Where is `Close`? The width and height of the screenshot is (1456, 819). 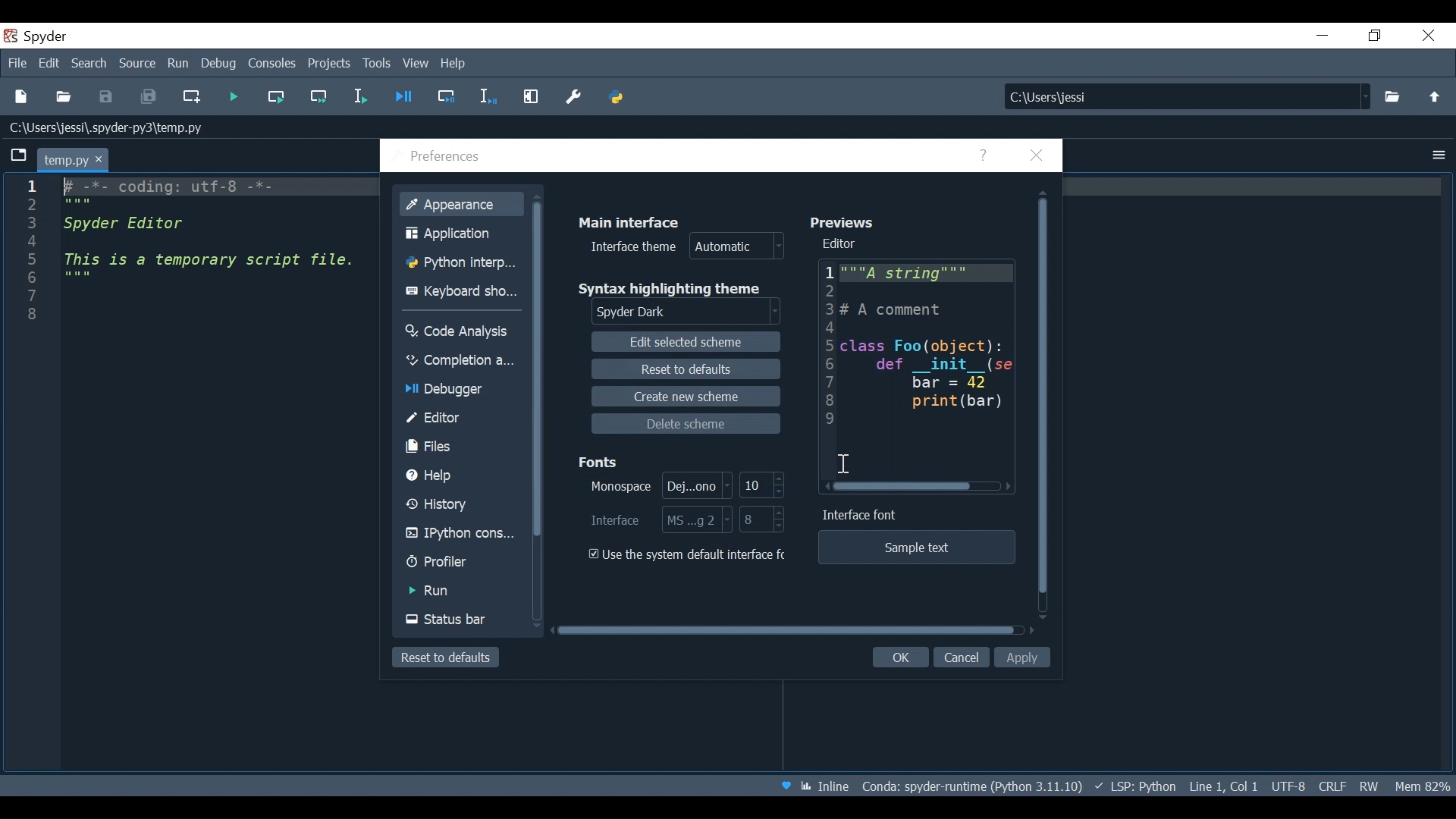
Close is located at coordinates (1426, 36).